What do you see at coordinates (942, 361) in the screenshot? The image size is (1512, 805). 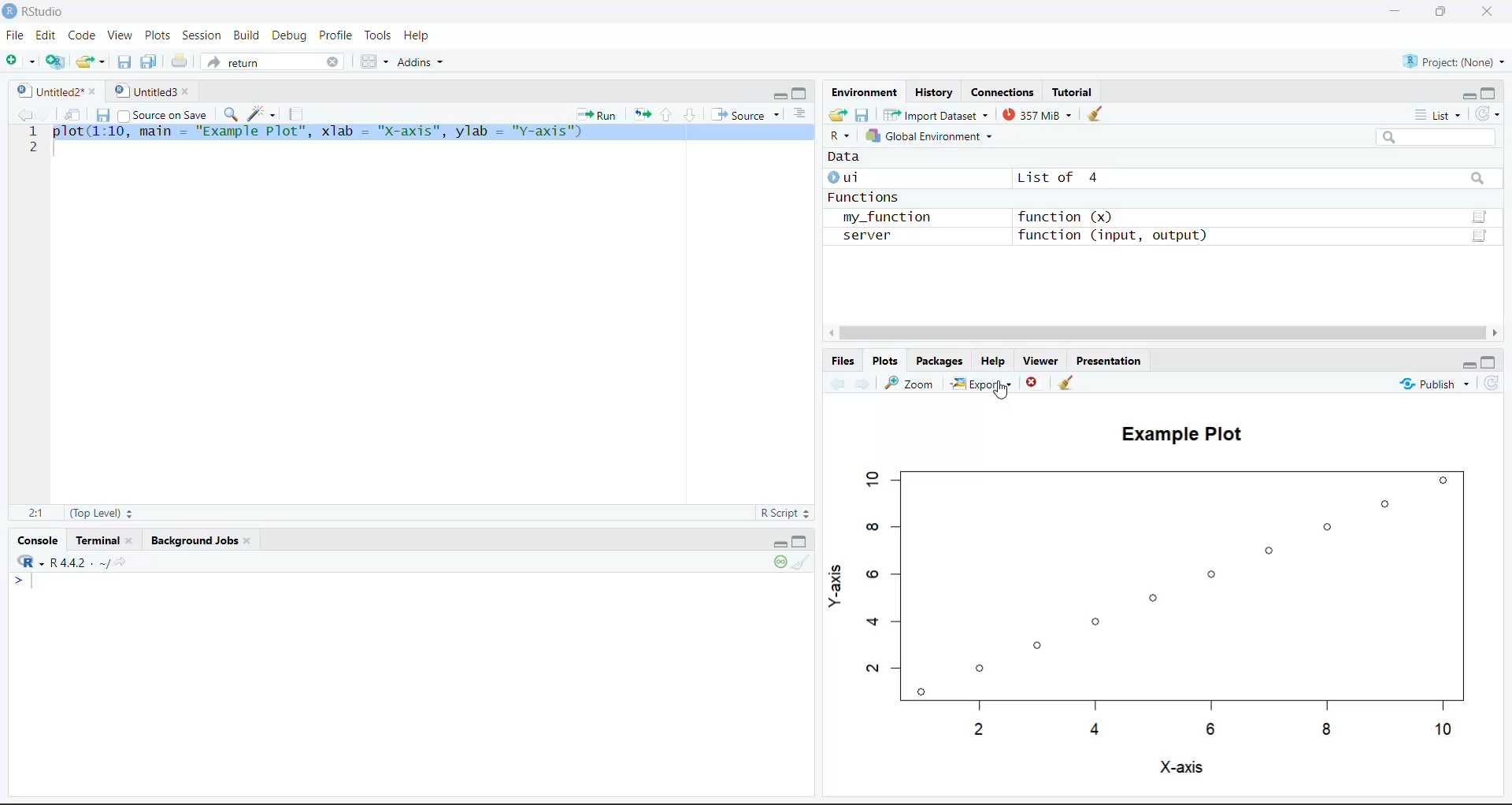 I see `Packages` at bounding box center [942, 361].